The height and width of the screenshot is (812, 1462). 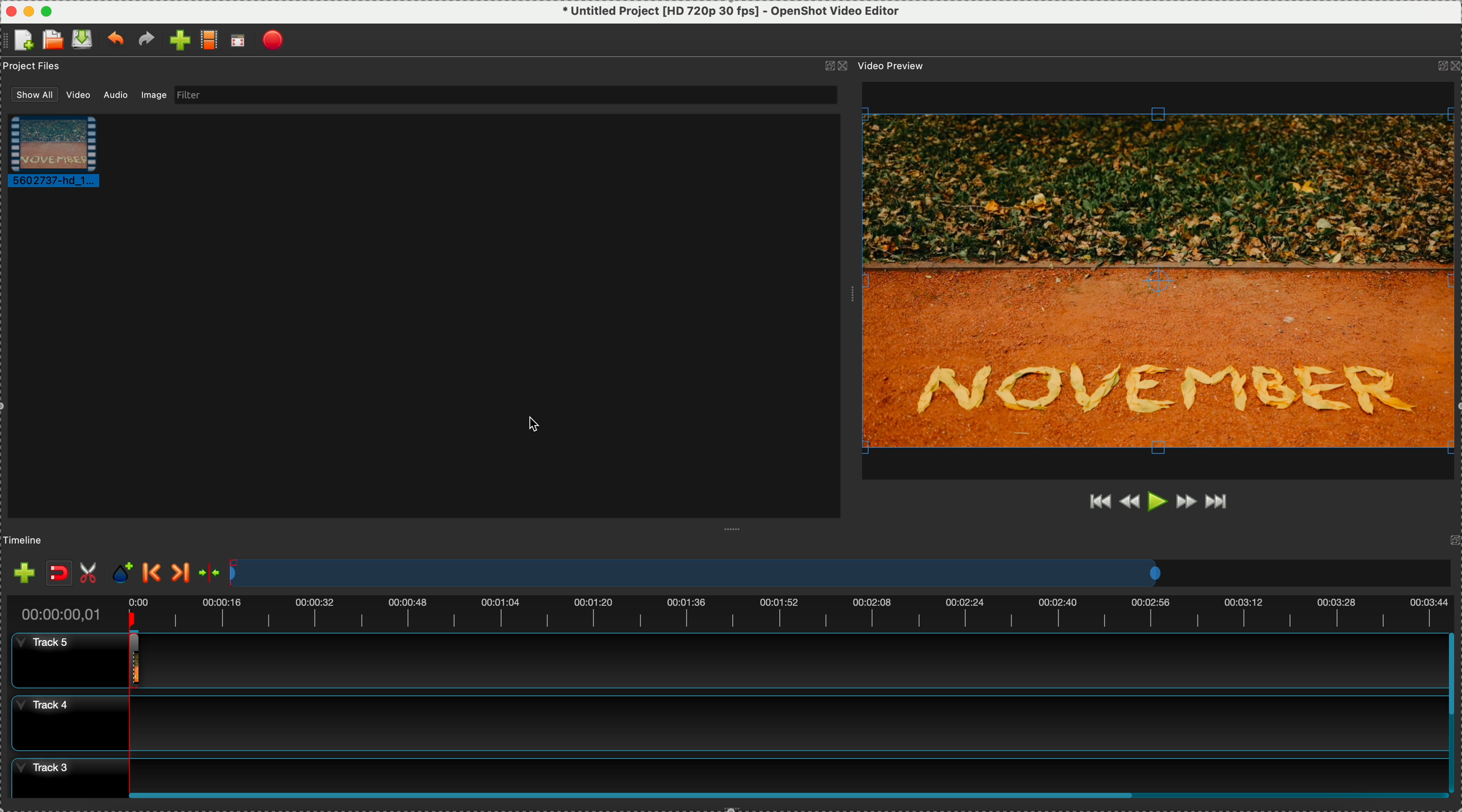 What do you see at coordinates (528, 422) in the screenshot?
I see `cursor` at bounding box center [528, 422].